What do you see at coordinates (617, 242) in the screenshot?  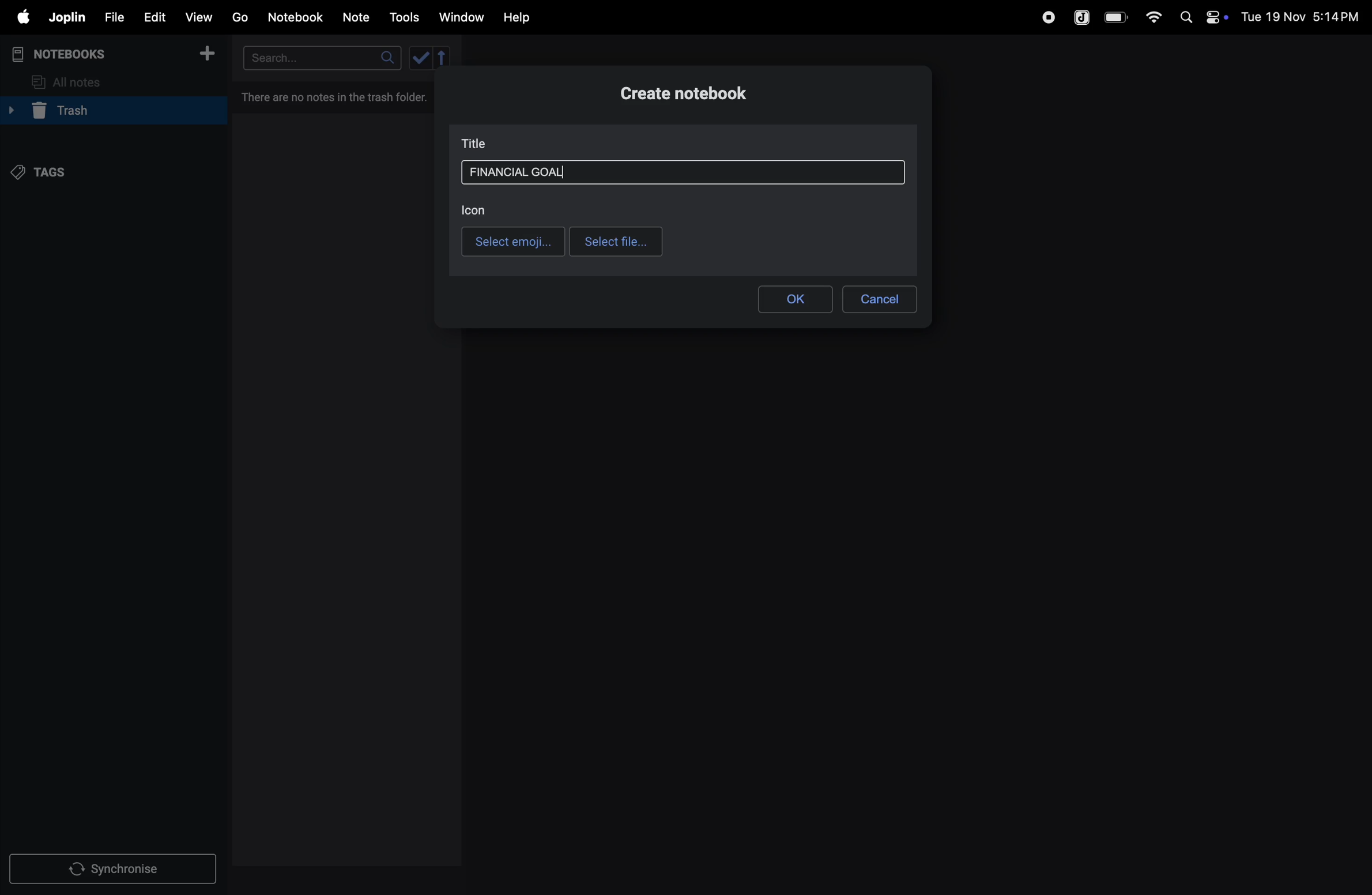 I see `select file` at bounding box center [617, 242].